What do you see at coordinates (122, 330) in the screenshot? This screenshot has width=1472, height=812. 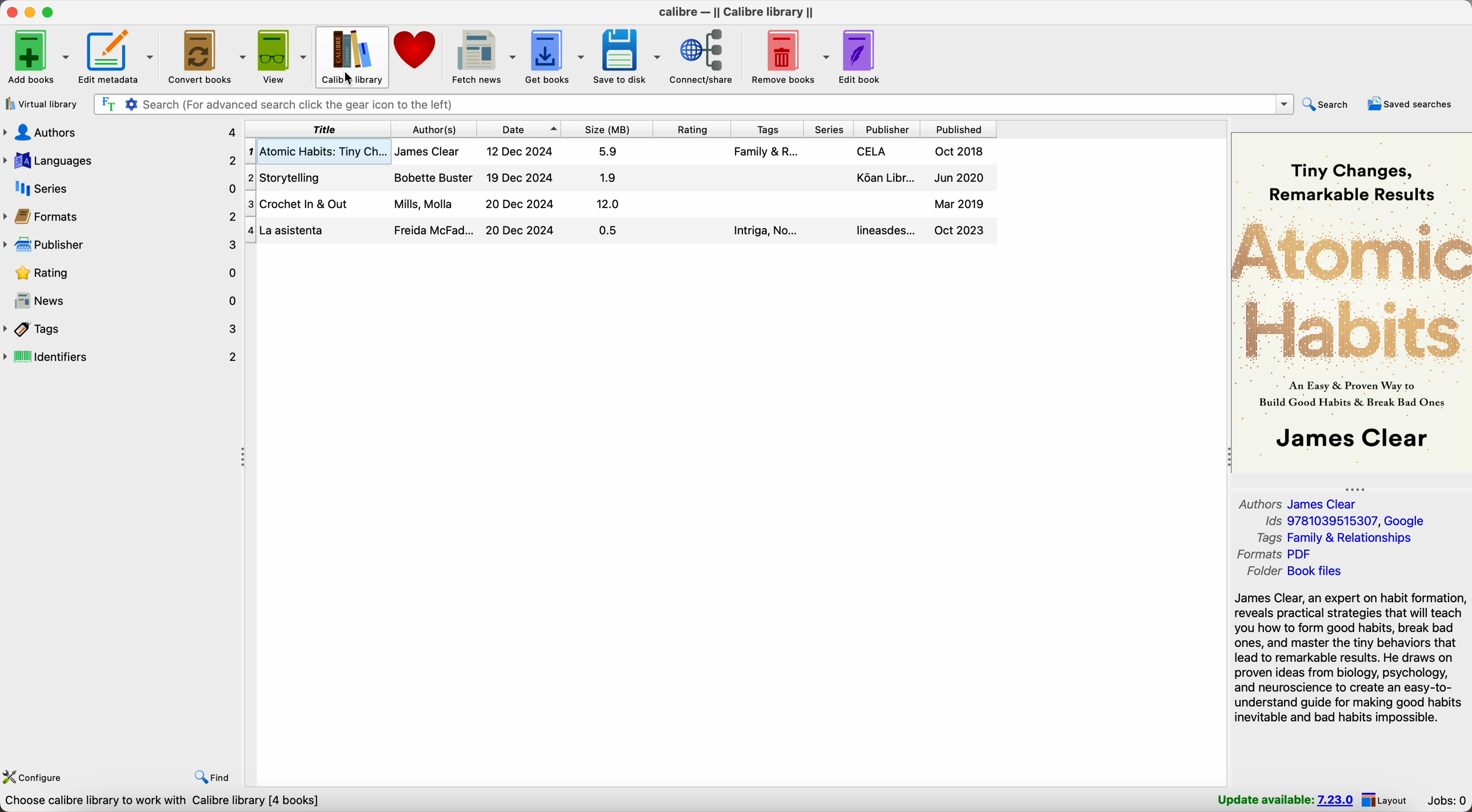 I see `tags` at bounding box center [122, 330].